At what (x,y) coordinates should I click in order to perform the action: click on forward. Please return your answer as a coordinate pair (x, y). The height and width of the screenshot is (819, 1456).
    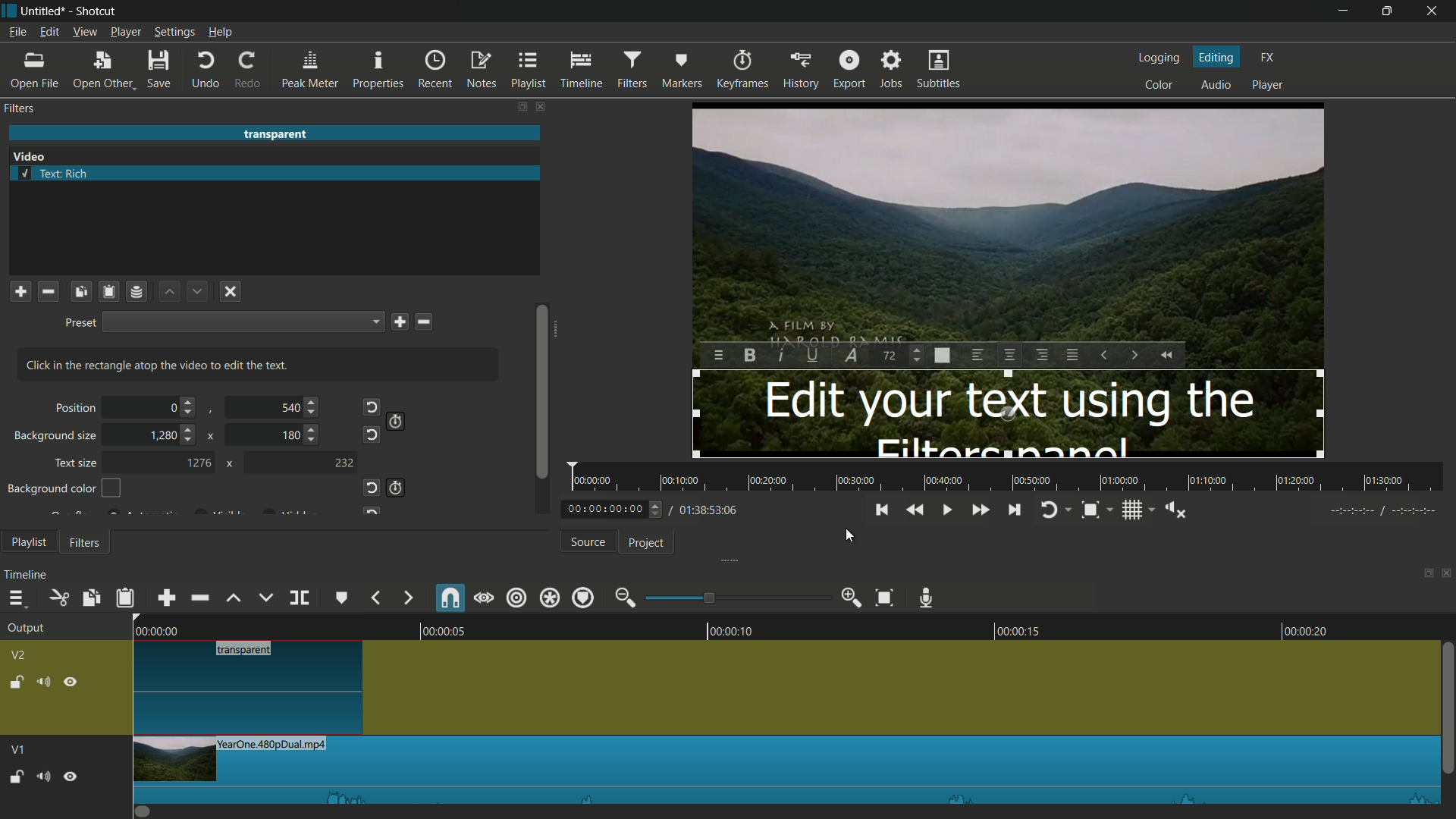
    Looking at the image, I should click on (407, 598).